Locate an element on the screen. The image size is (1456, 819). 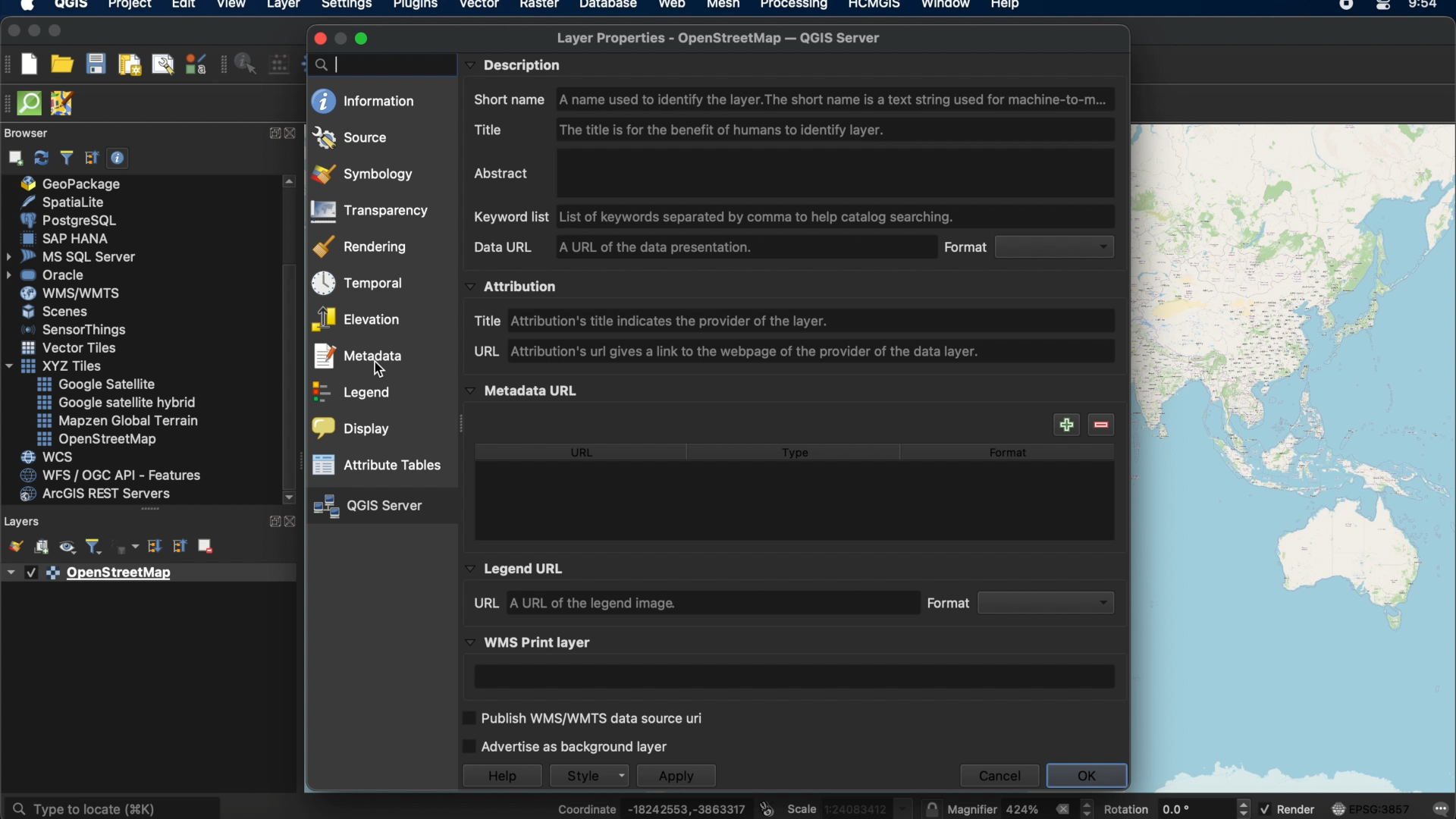
attribute tables is located at coordinates (378, 465).